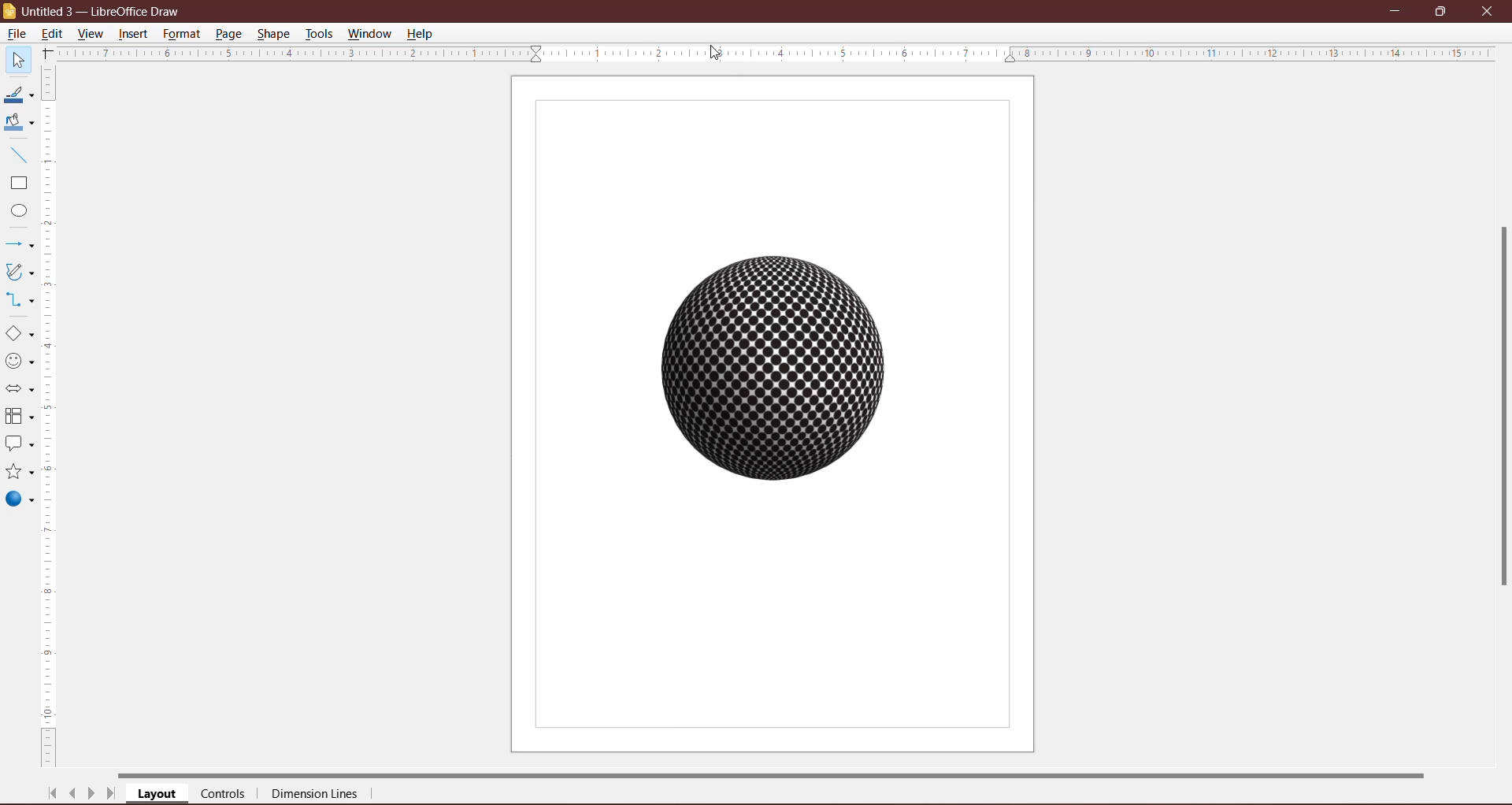 This screenshot has height=805, width=1512. Describe the element at coordinates (16, 123) in the screenshot. I see `Fill Color` at that location.